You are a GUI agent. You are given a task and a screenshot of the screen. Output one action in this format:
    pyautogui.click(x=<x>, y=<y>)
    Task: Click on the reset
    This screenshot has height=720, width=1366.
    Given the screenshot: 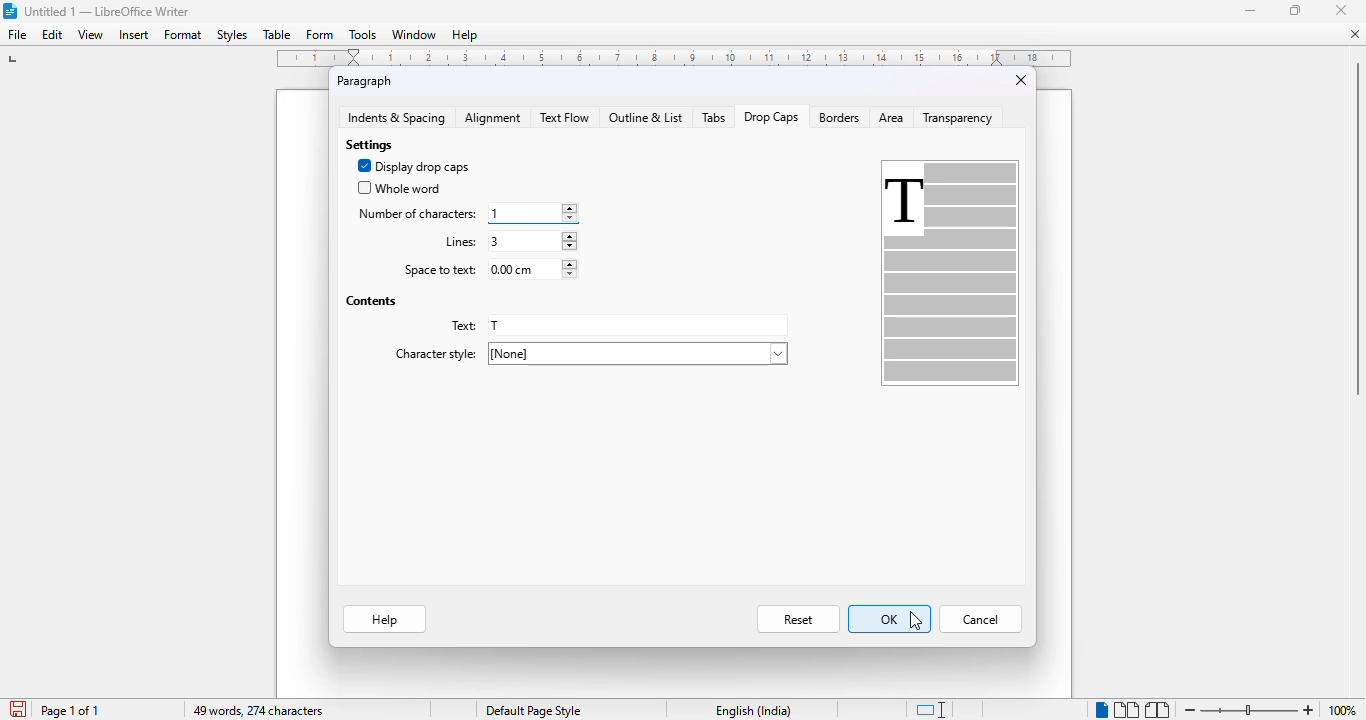 What is the action you would take?
    pyautogui.click(x=797, y=619)
    